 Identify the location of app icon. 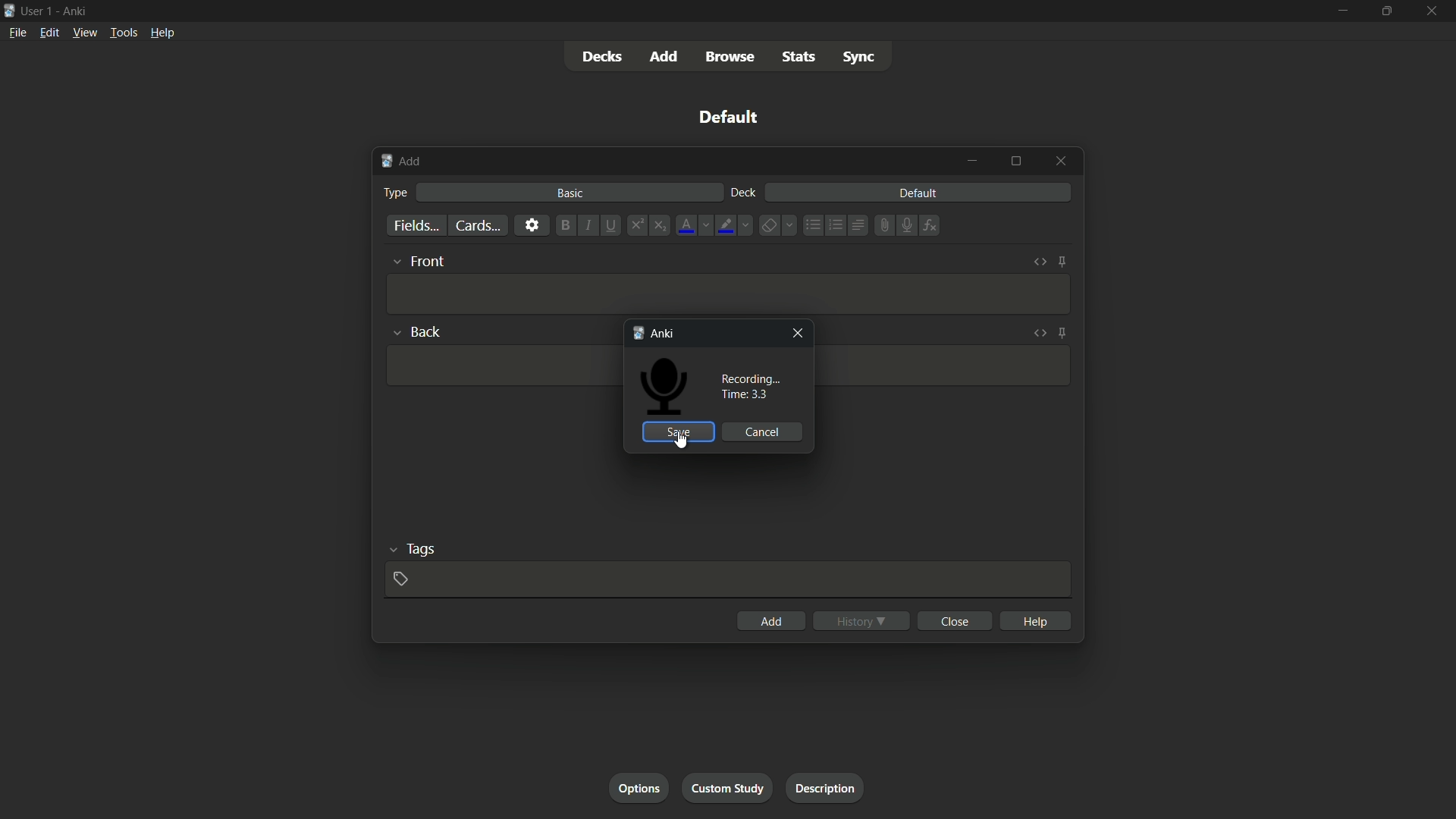
(9, 9).